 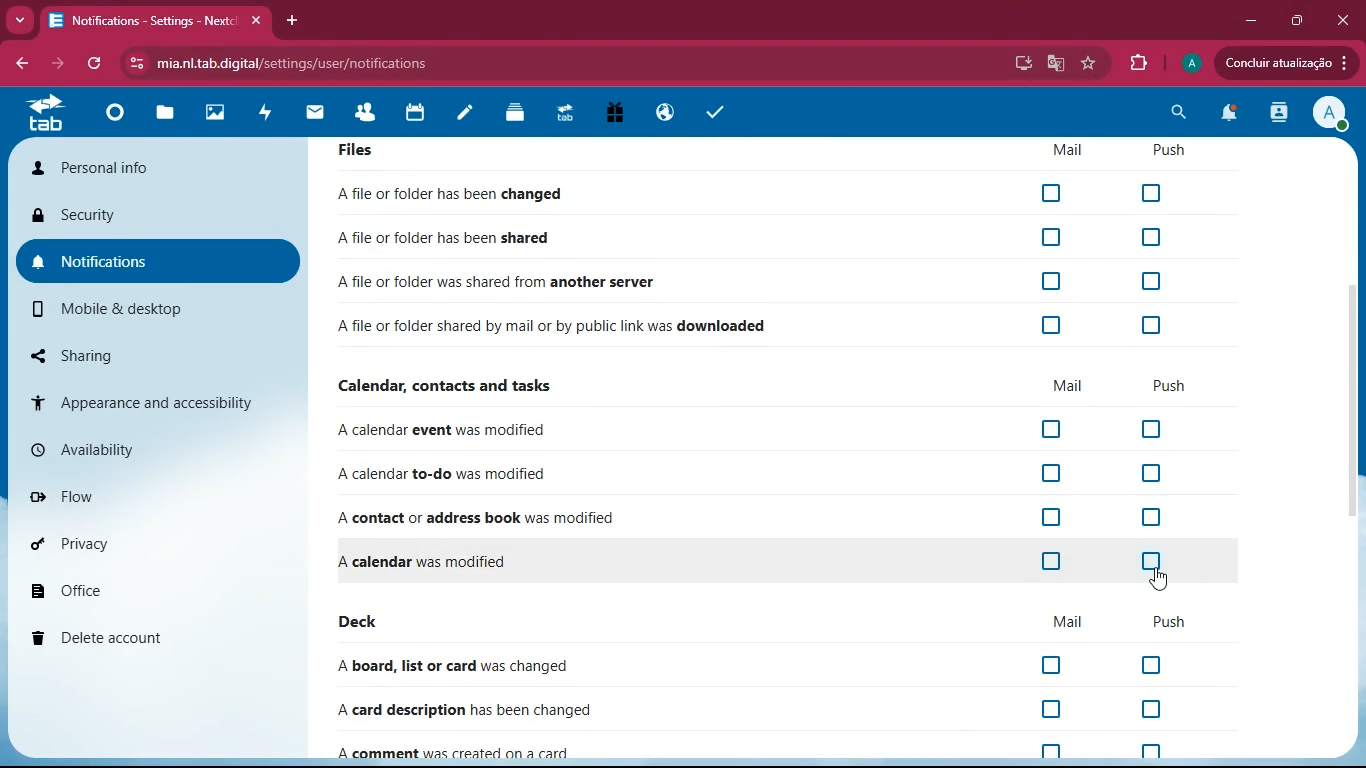 What do you see at coordinates (1189, 63) in the screenshot?
I see `profile` at bounding box center [1189, 63].